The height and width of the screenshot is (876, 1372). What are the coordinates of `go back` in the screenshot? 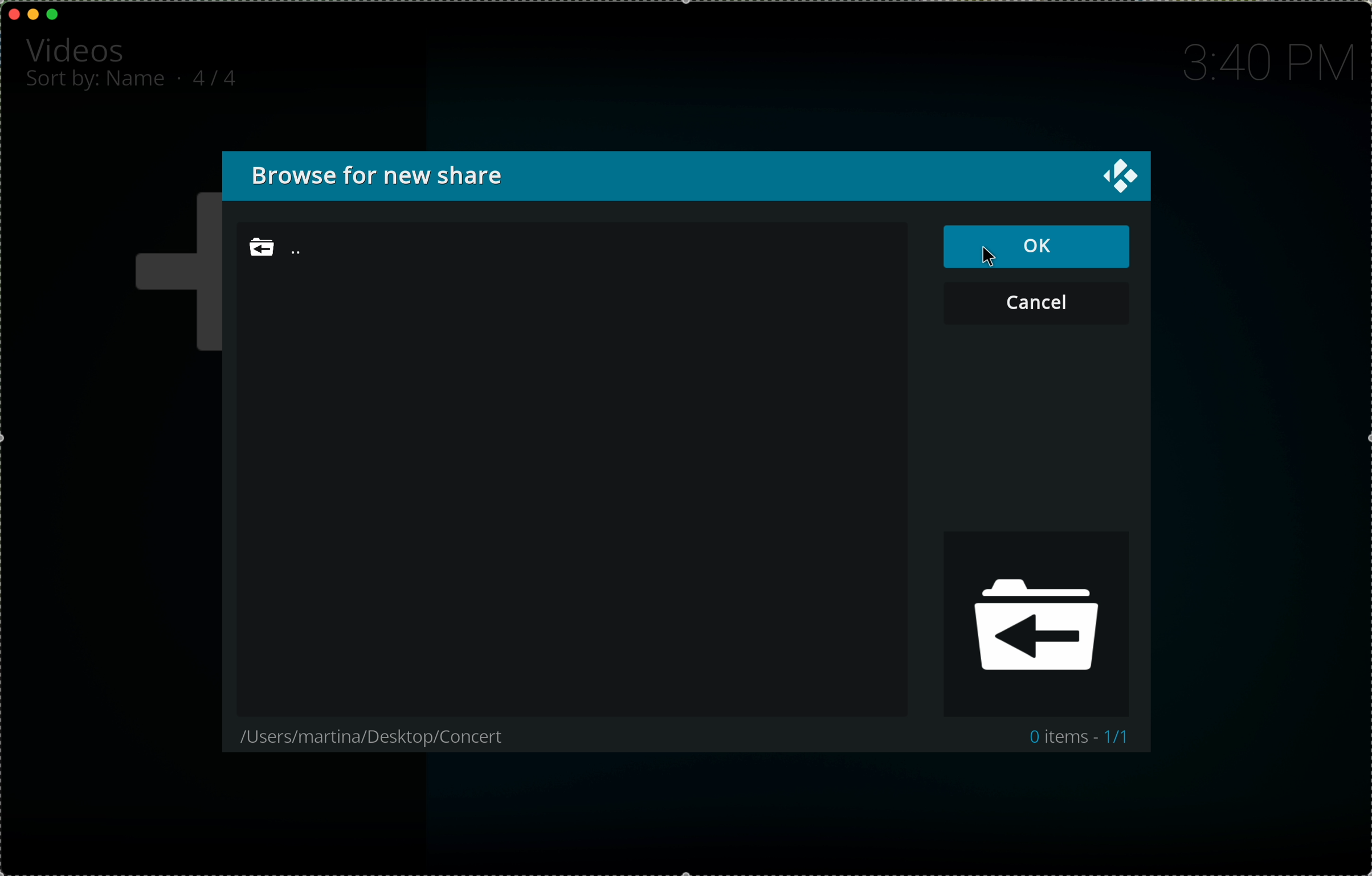 It's located at (308, 251).